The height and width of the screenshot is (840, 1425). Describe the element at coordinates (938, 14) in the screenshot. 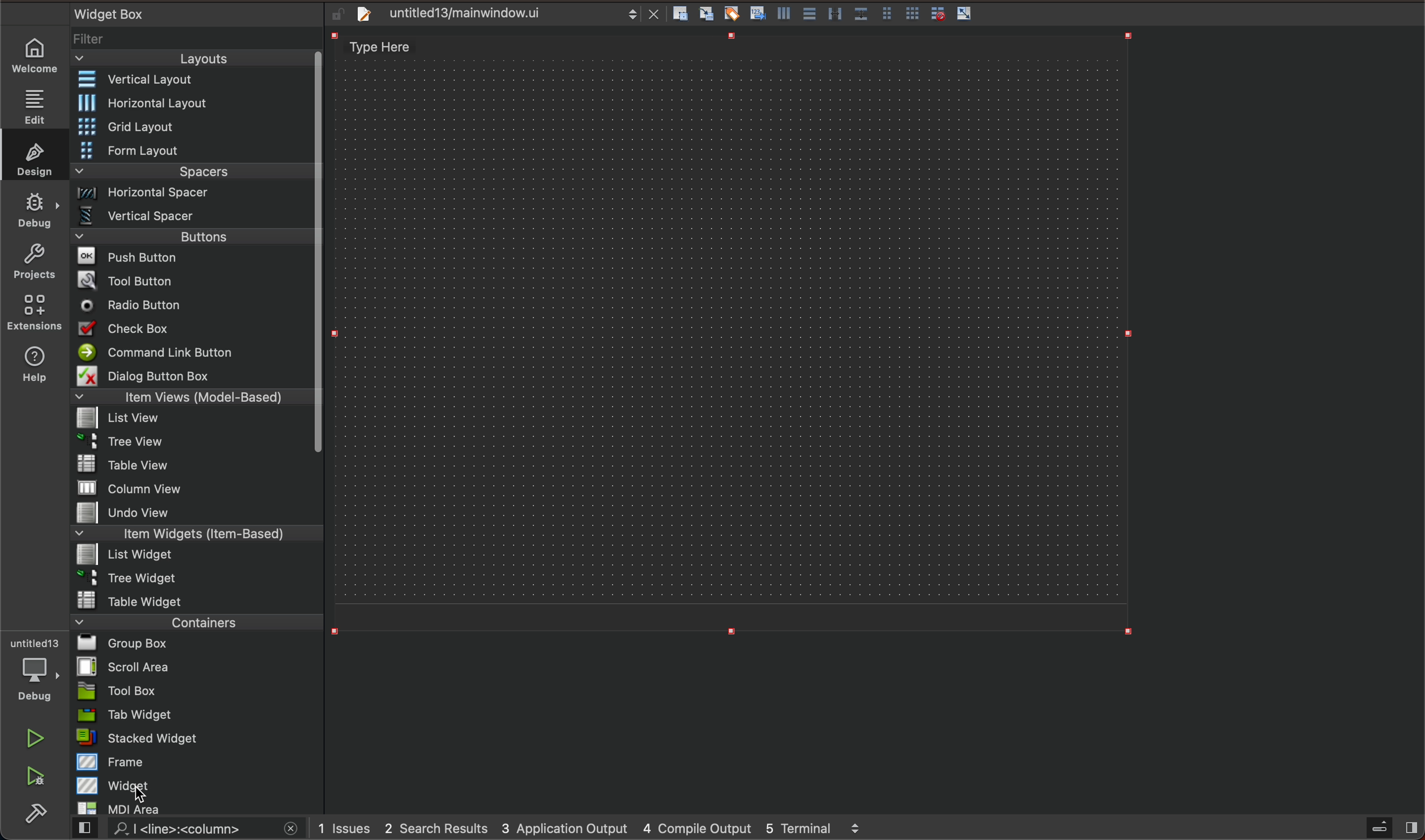

I see `` at that location.